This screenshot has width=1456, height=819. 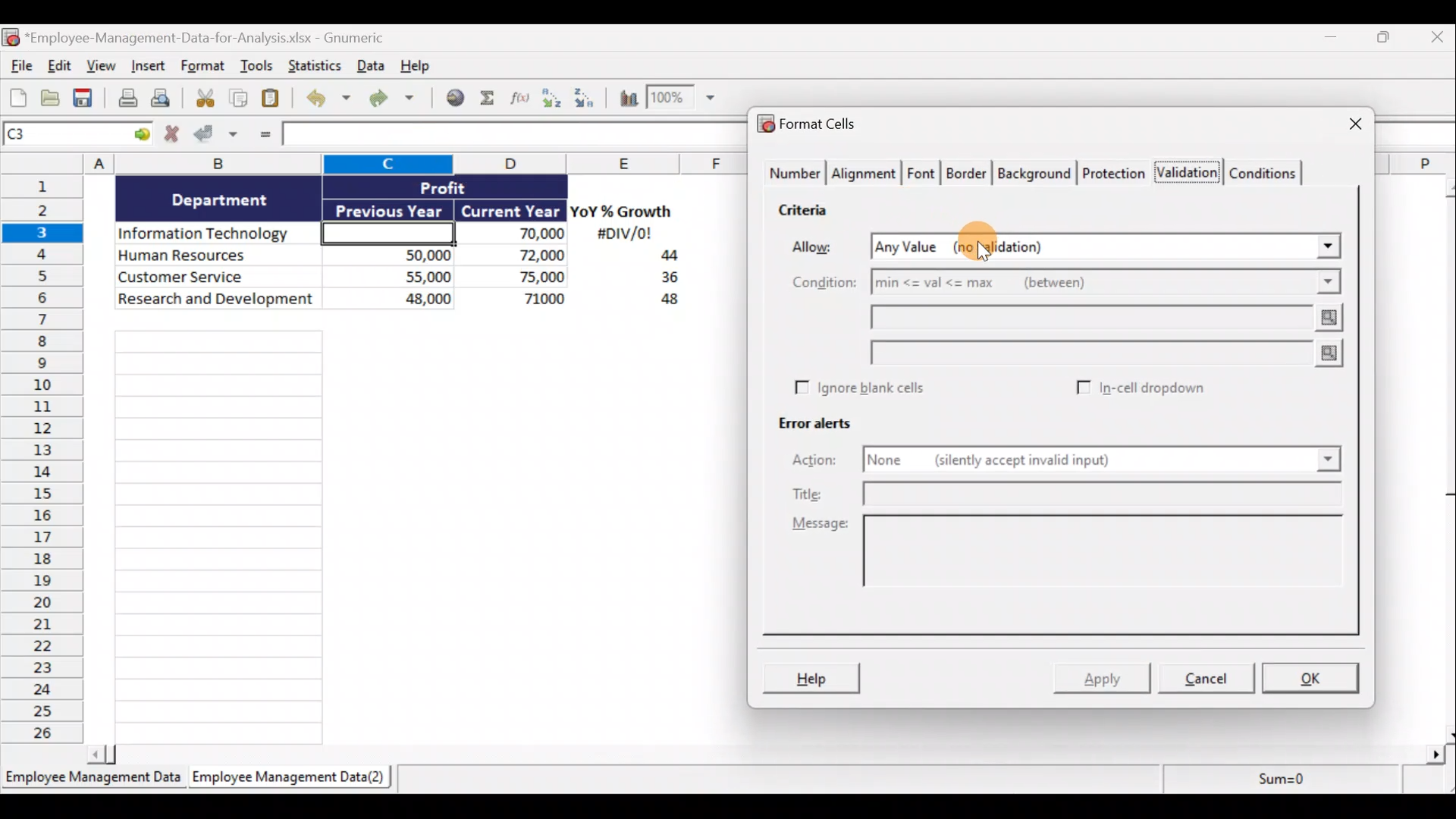 I want to click on Paste clipboard, so click(x=275, y=99).